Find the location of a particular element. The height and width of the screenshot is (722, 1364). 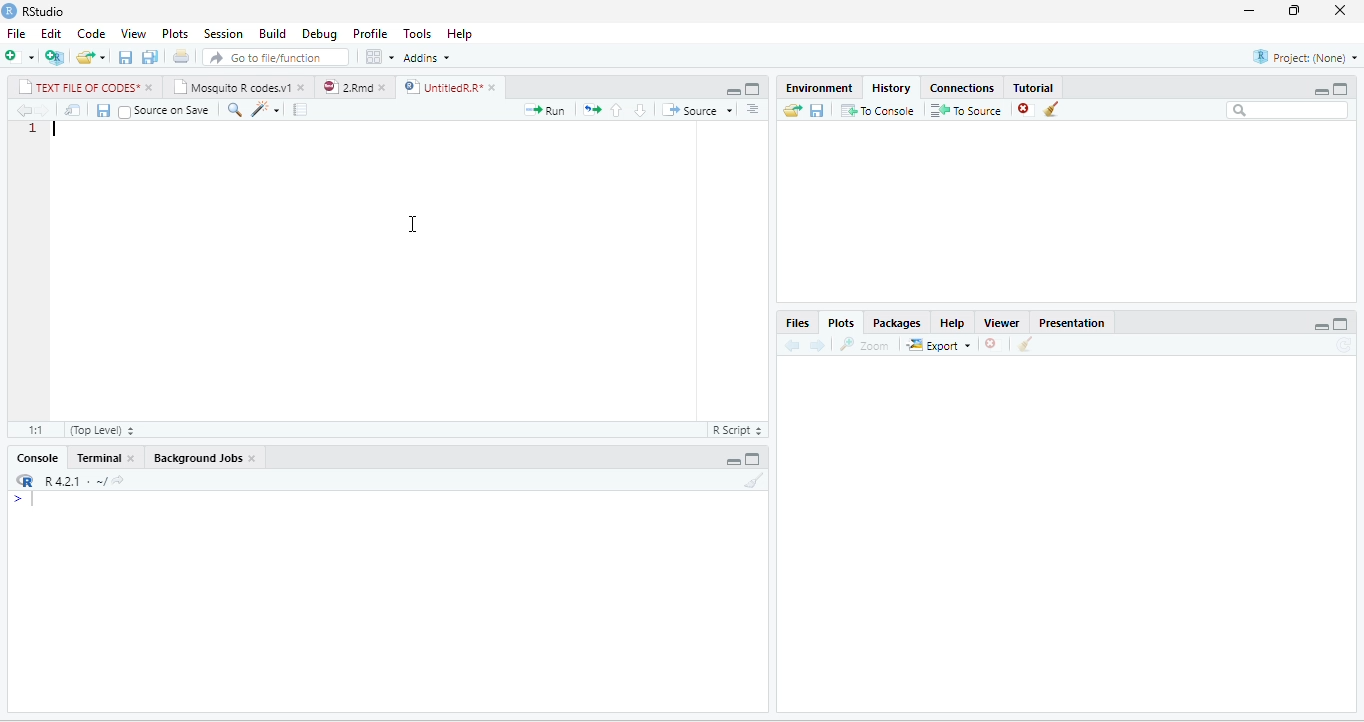

close is located at coordinates (253, 458).